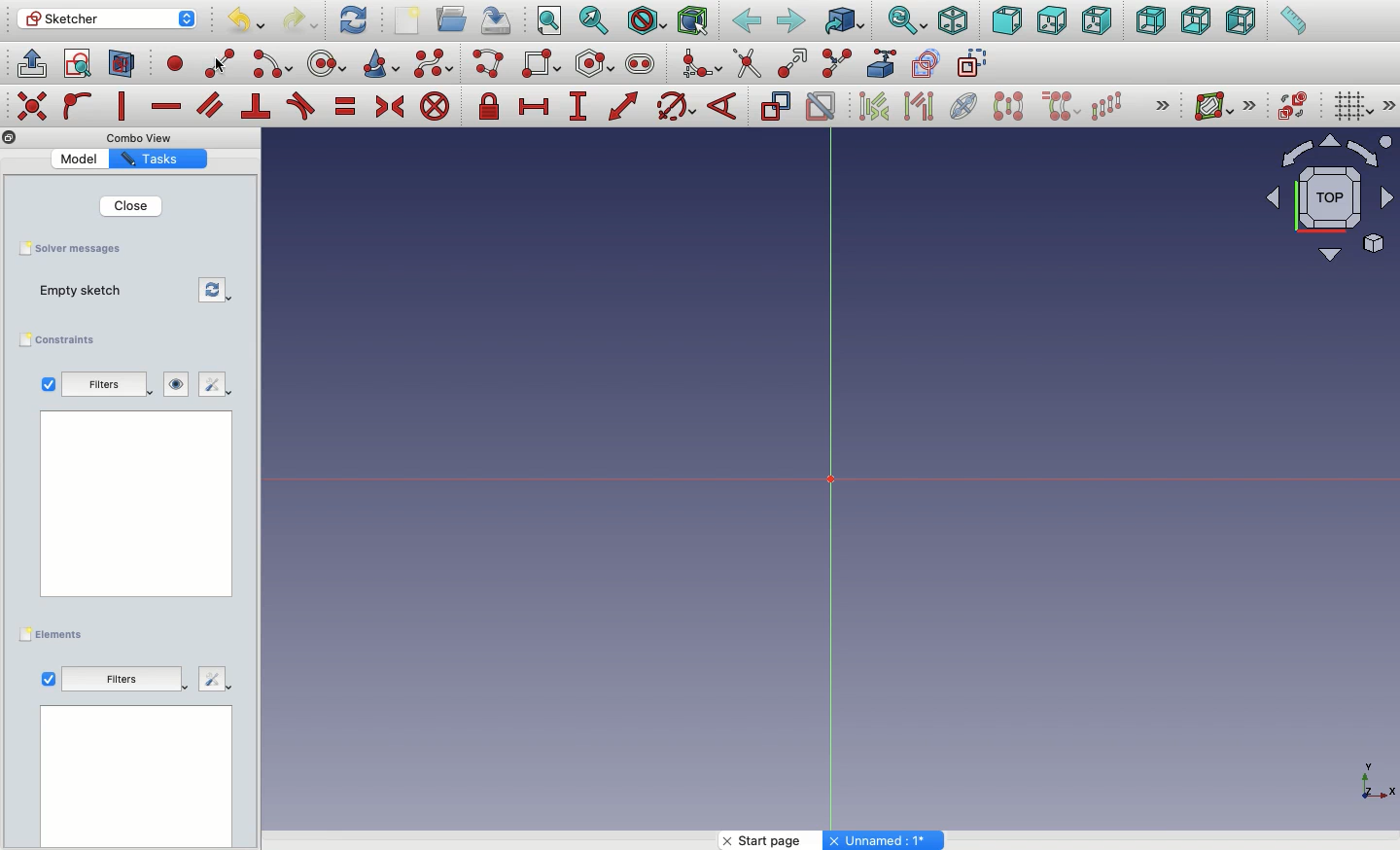 The height and width of the screenshot is (850, 1400). I want to click on Empty sketch, so click(86, 290).